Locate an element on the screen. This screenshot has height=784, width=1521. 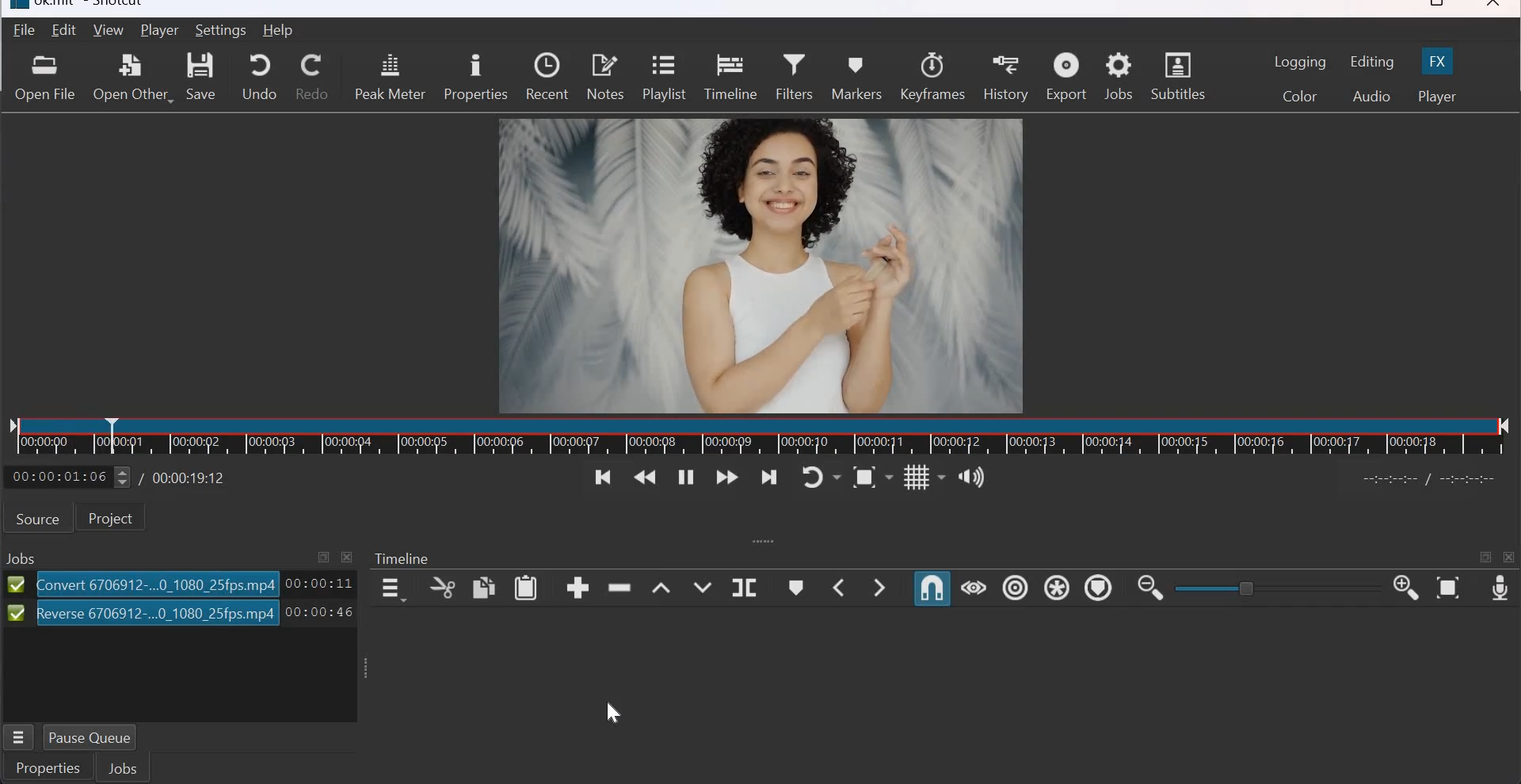
Audio is located at coordinates (1371, 97).